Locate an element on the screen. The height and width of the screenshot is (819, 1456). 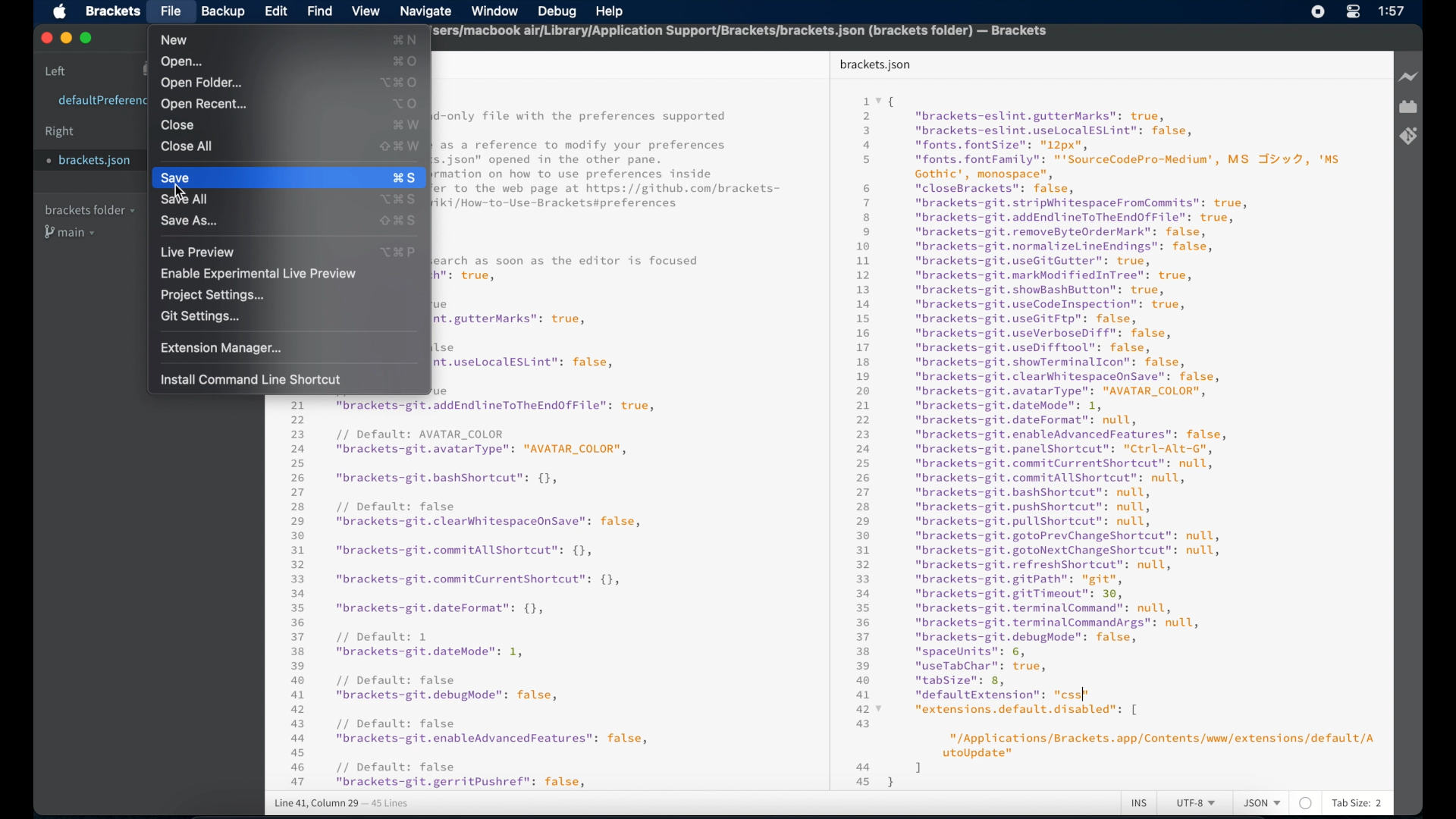
screen recorder icon is located at coordinates (1319, 11).